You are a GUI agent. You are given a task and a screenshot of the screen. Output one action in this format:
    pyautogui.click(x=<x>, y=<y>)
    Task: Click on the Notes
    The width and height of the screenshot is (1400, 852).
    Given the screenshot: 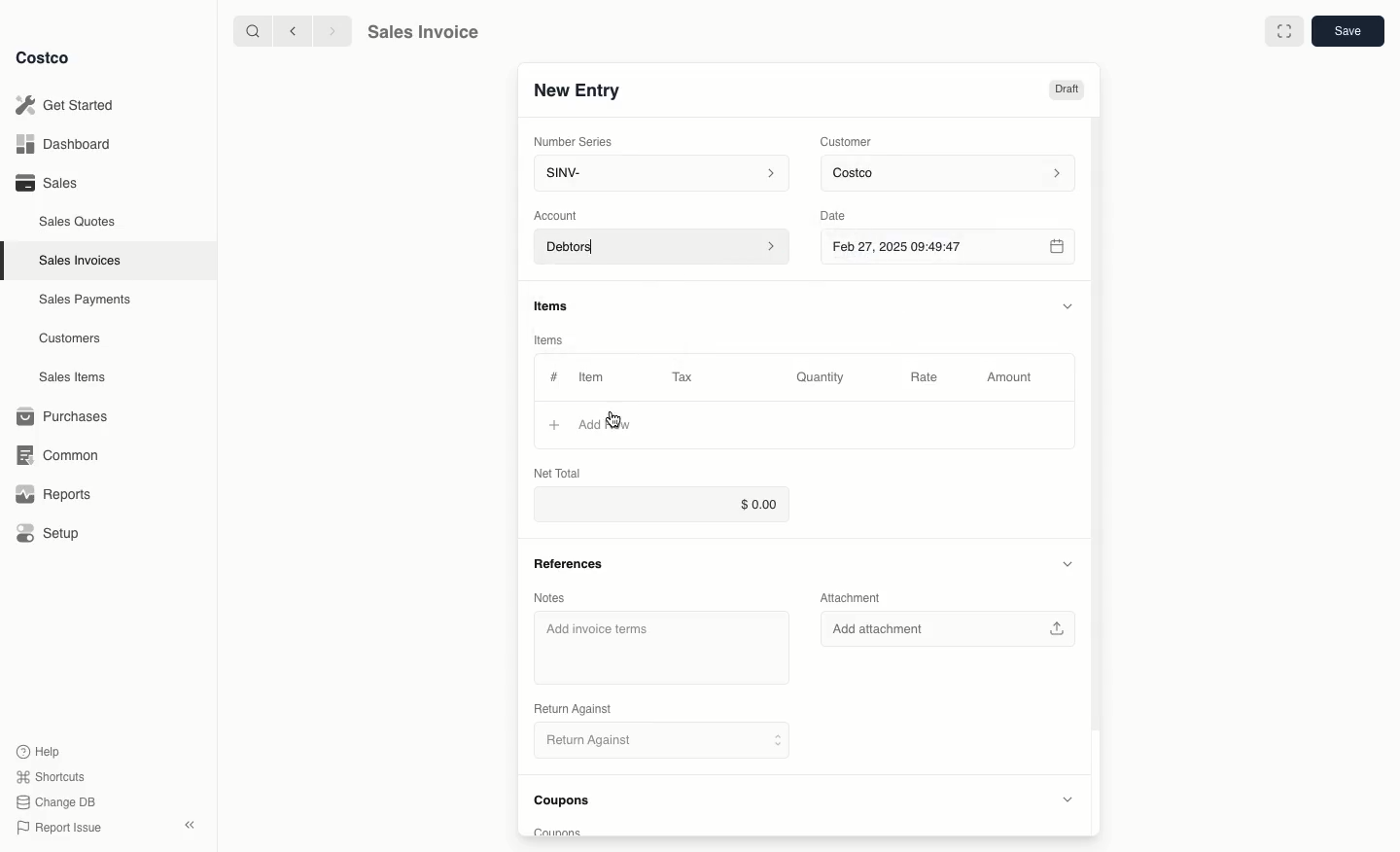 What is the action you would take?
    pyautogui.click(x=549, y=598)
    